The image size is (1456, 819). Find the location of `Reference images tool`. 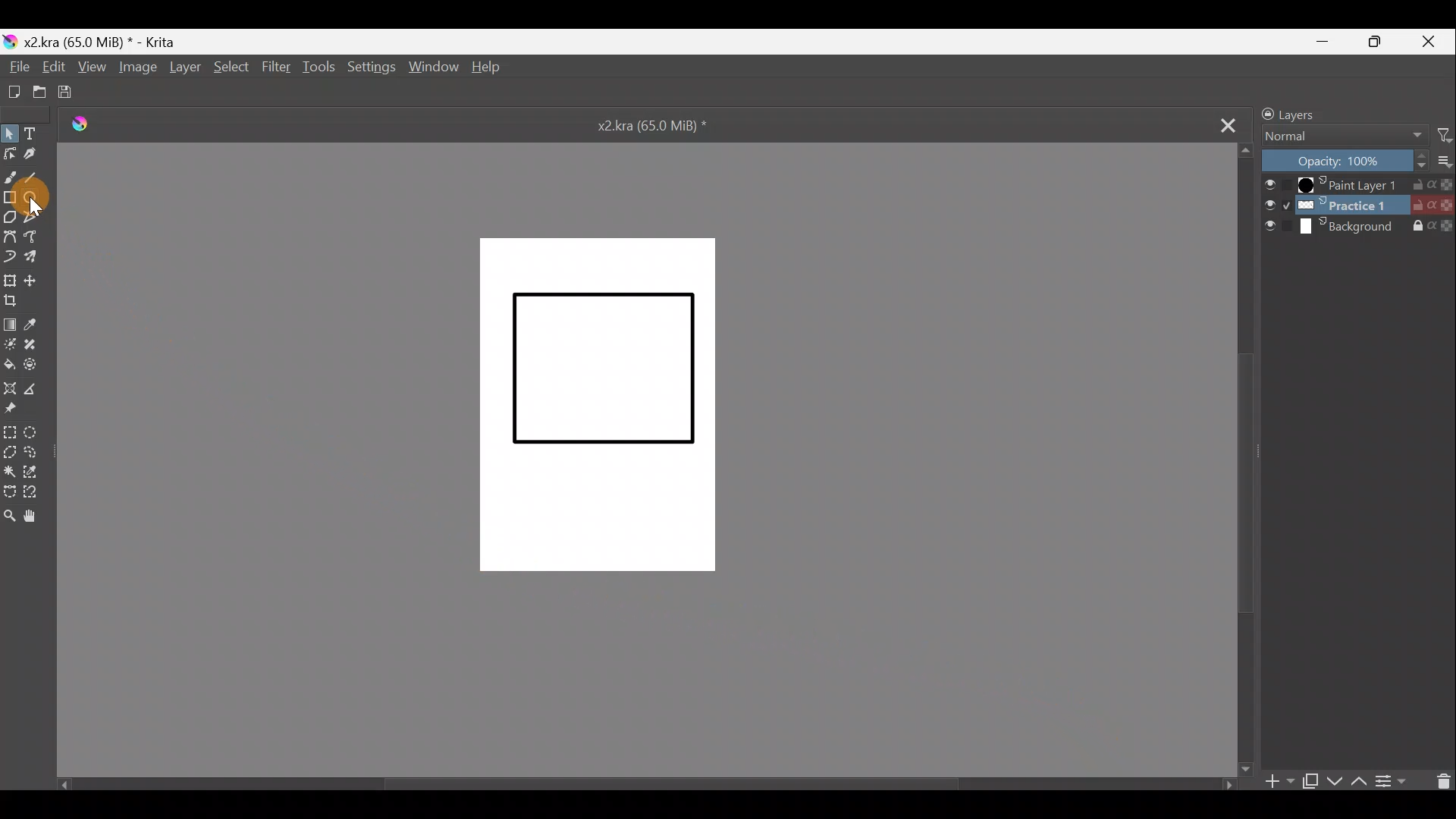

Reference images tool is located at coordinates (17, 410).